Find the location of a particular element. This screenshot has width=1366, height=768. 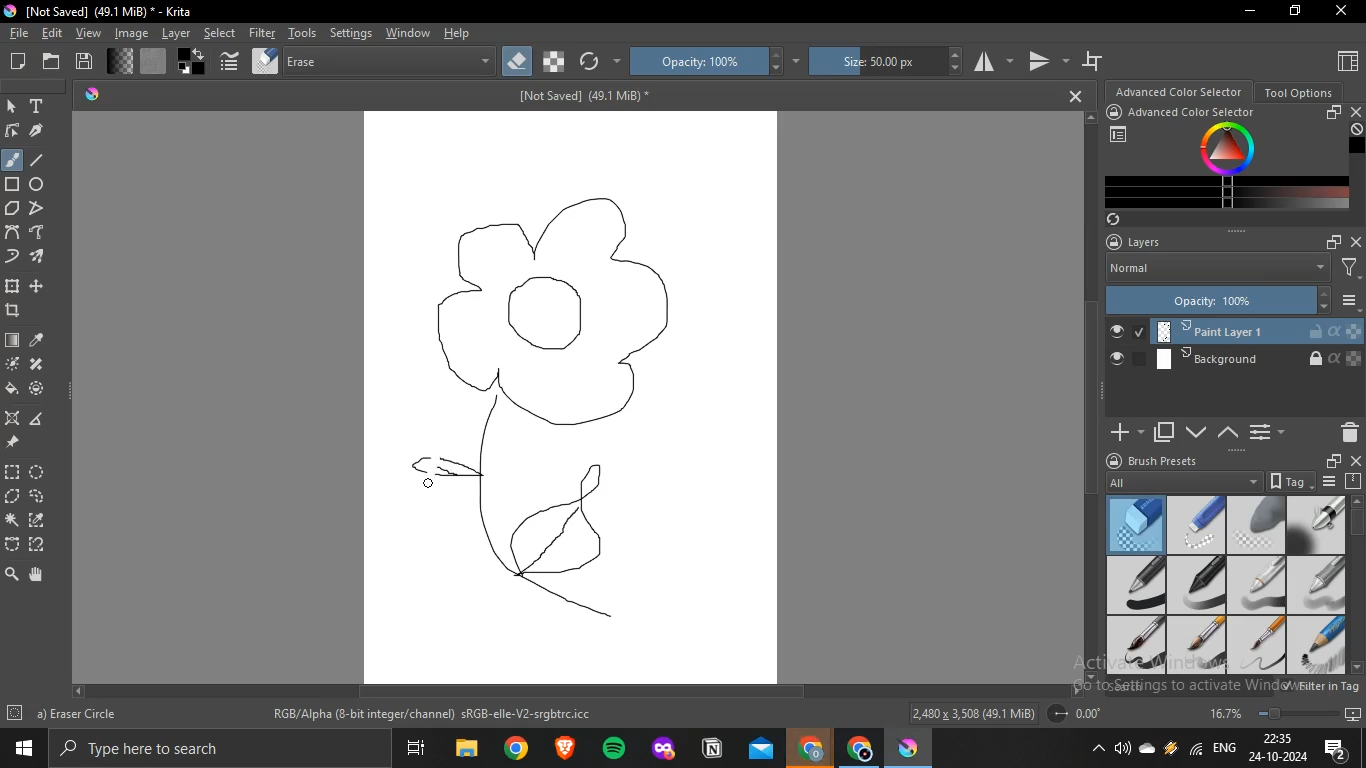

Windows is located at coordinates (20, 748).